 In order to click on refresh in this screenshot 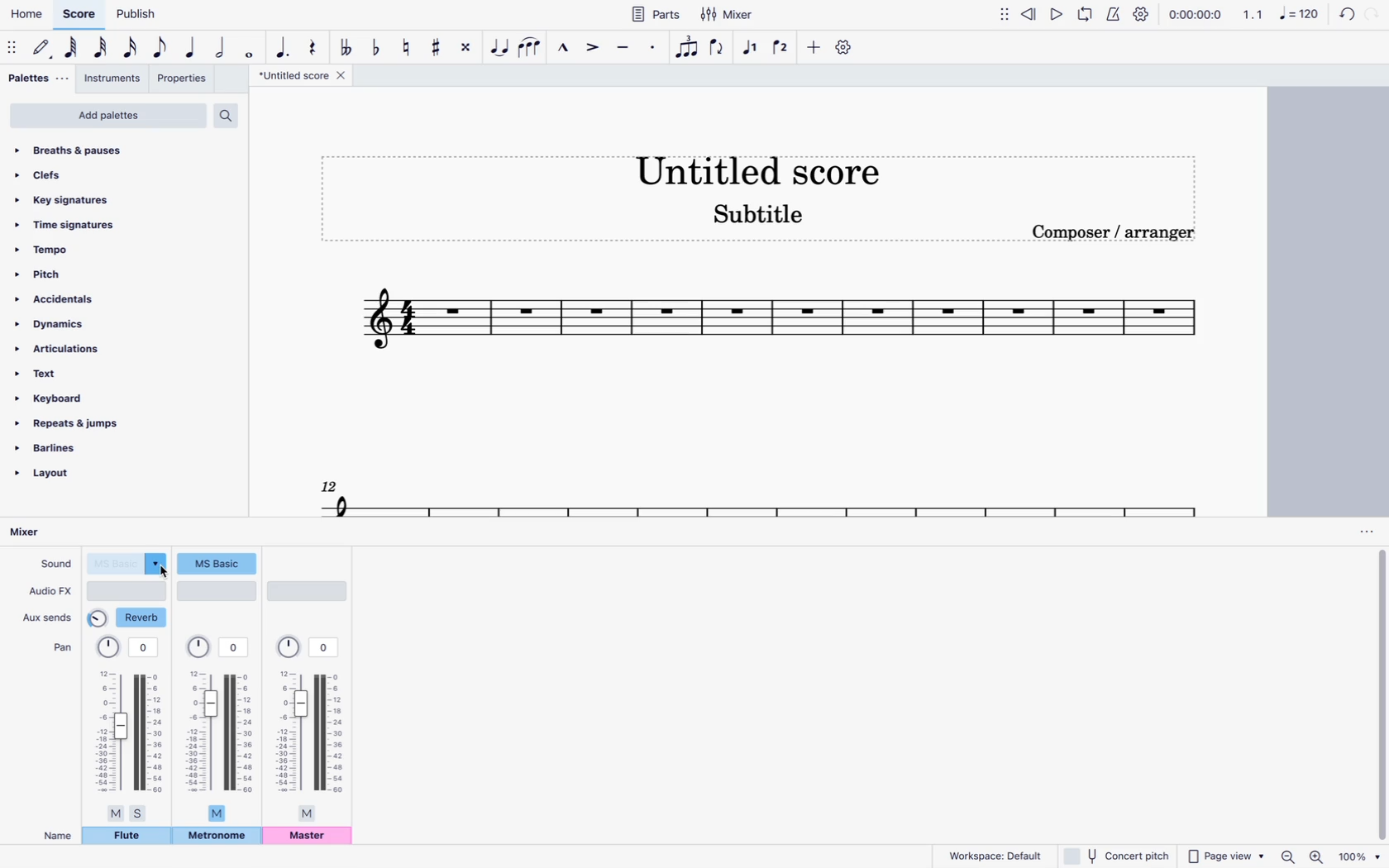, I will do `click(1344, 16)`.